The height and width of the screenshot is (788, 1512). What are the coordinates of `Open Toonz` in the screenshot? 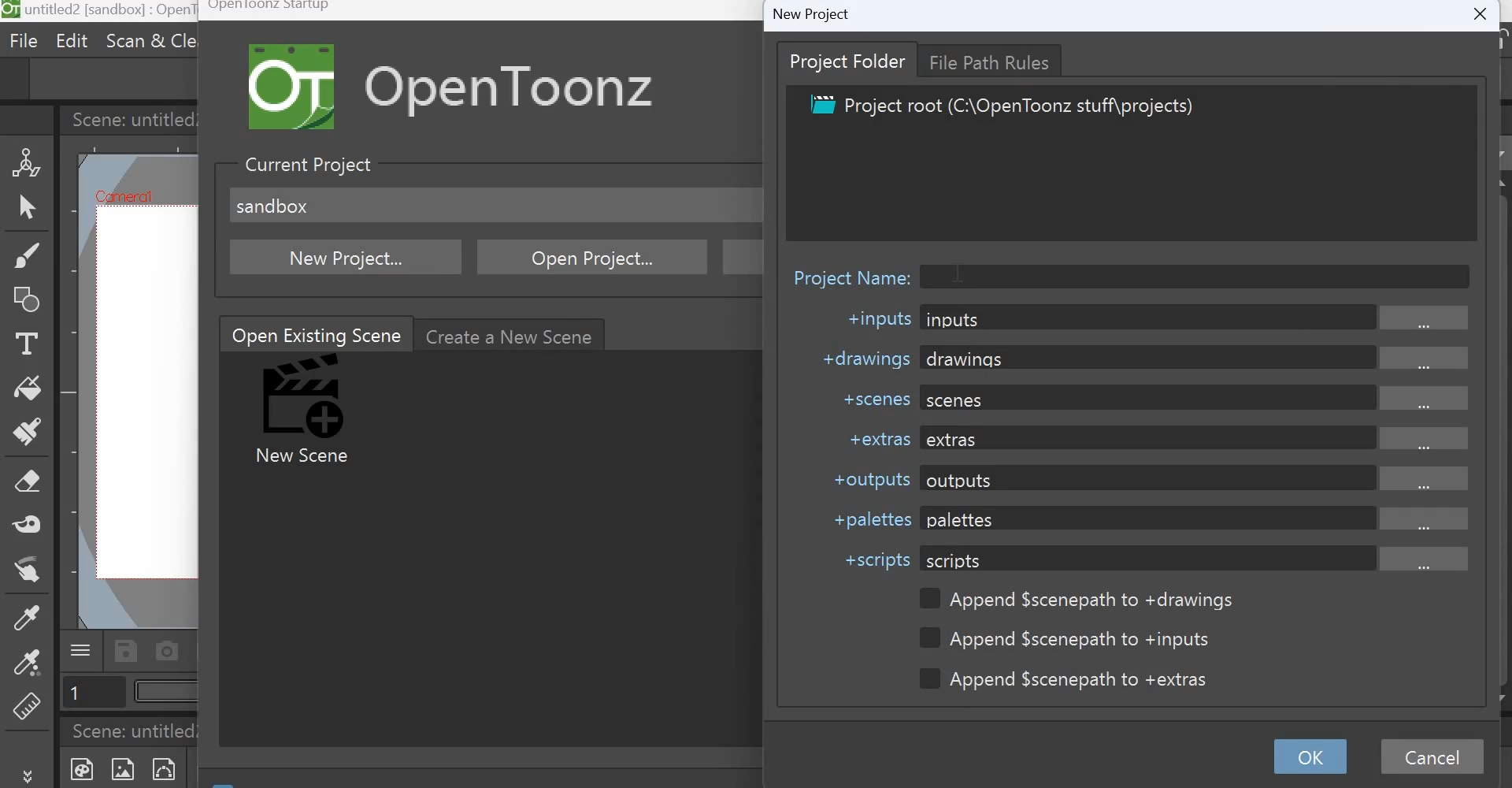 It's located at (535, 87).